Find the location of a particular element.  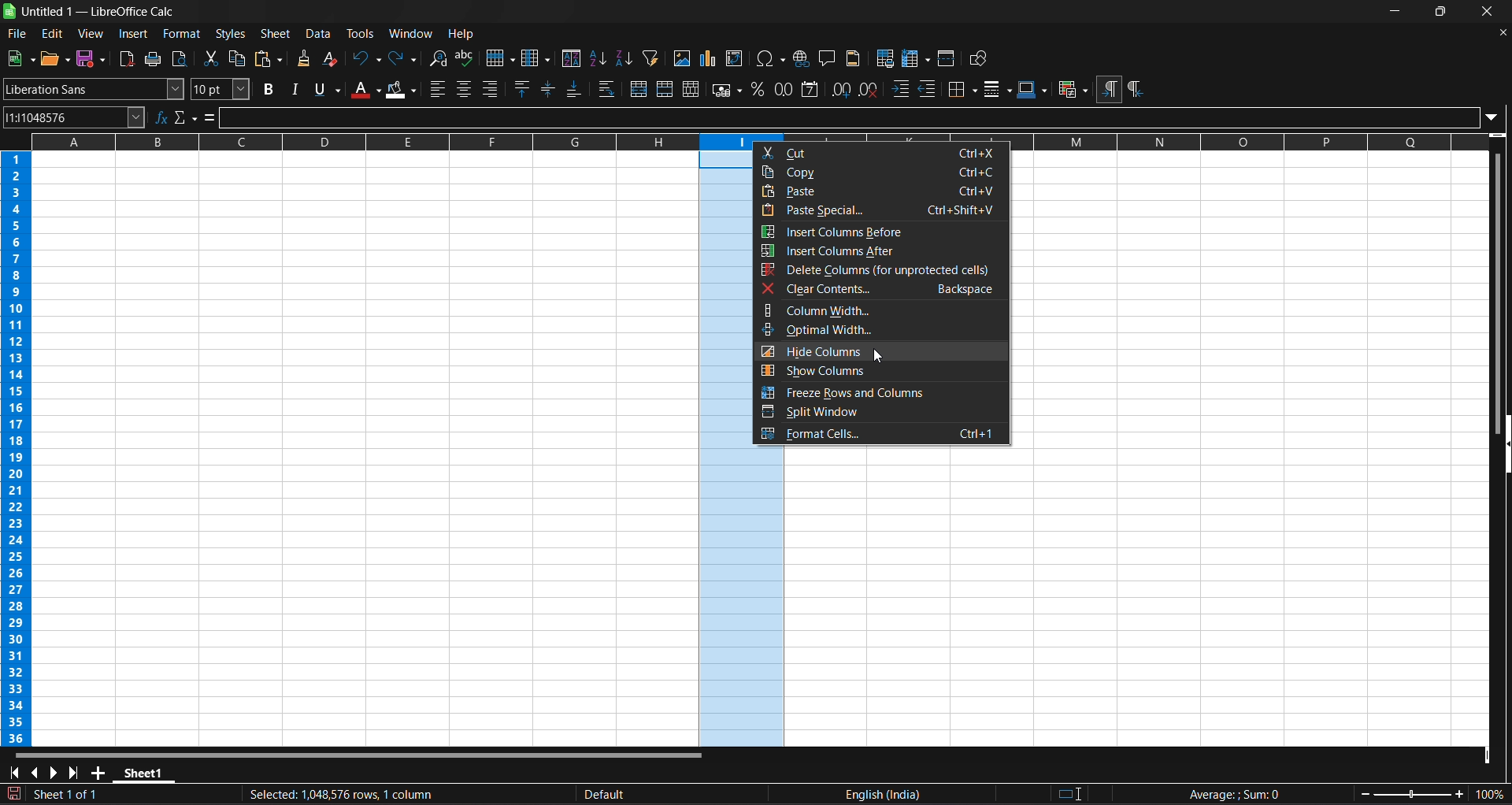

name box is located at coordinates (75, 117).